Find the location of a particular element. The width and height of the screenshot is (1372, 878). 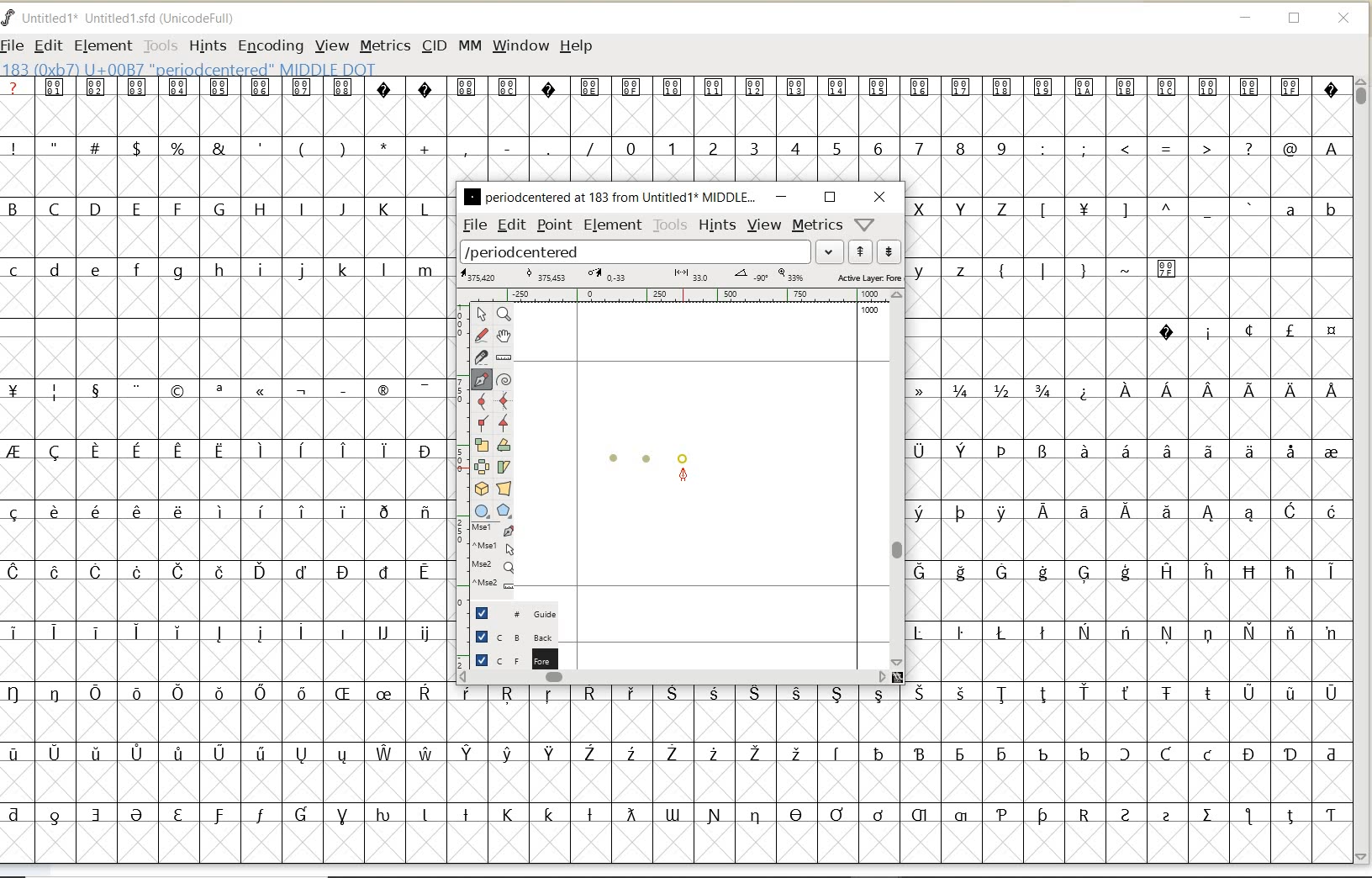

close is located at coordinates (879, 197).